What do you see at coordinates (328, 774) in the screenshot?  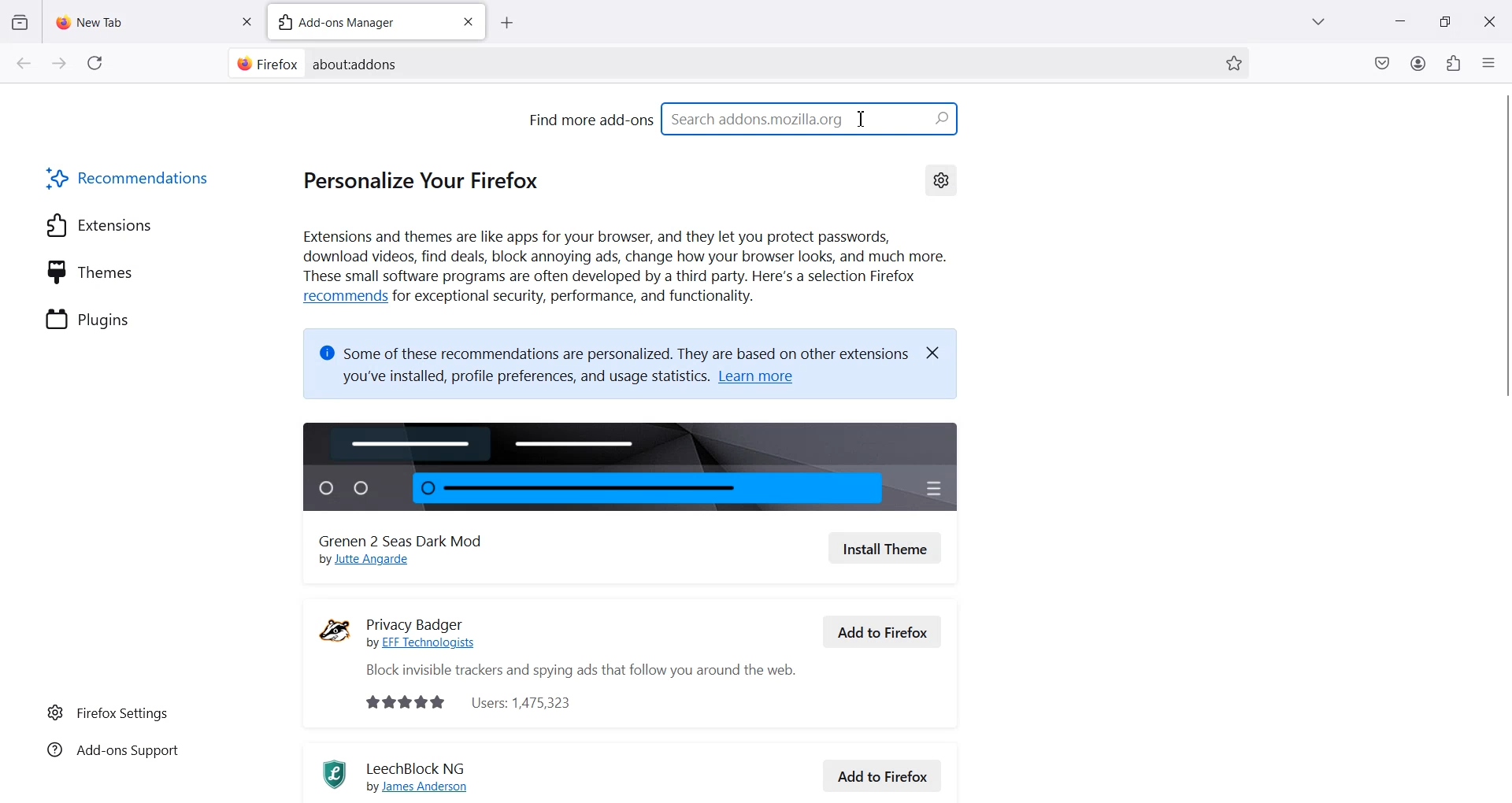 I see `Logo` at bounding box center [328, 774].